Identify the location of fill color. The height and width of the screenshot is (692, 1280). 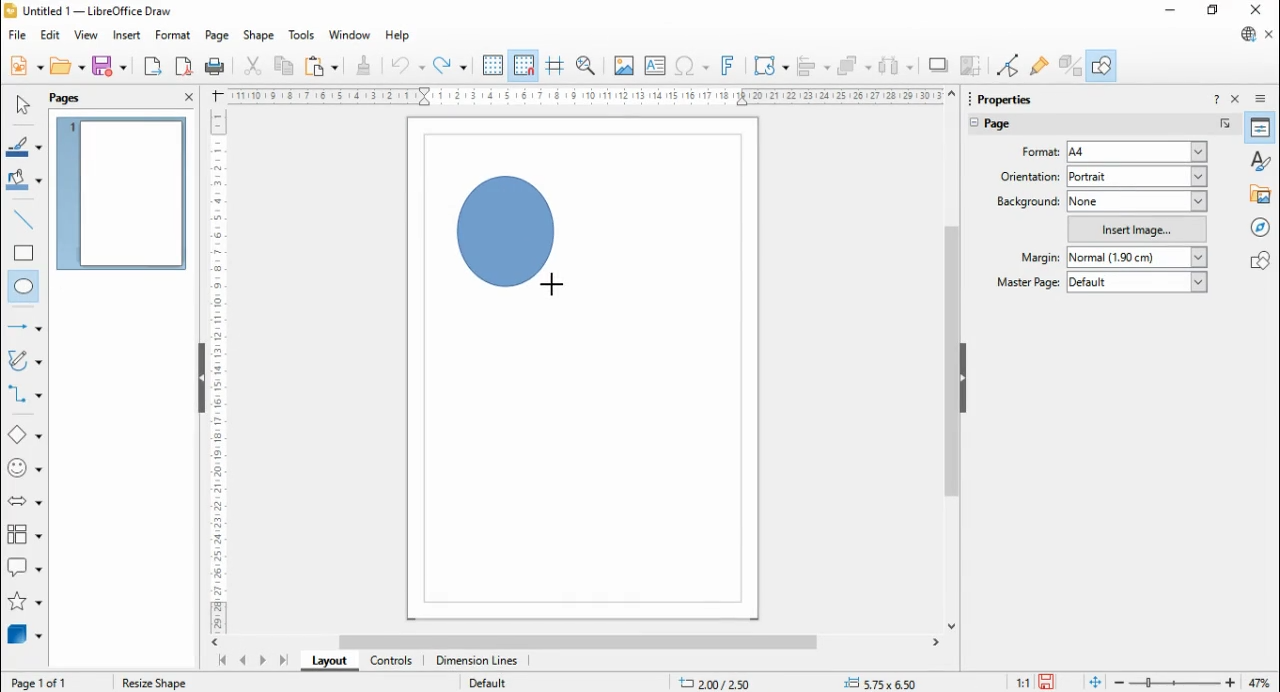
(25, 181).